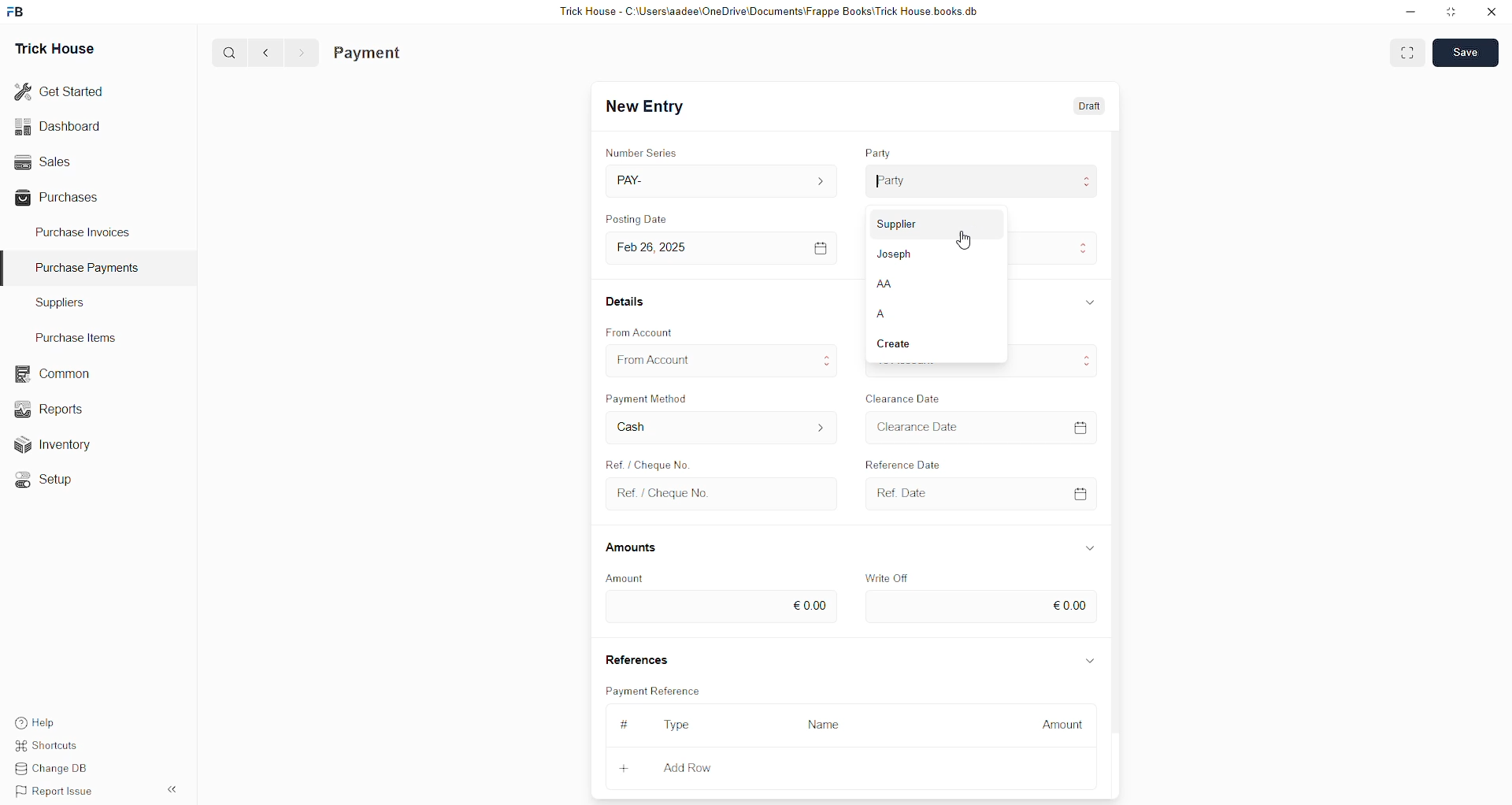 The height and width of the screenshot is (805, 1512). Describe the element at coordinates (628, 724) in the screenshot. I see `#` at that location.